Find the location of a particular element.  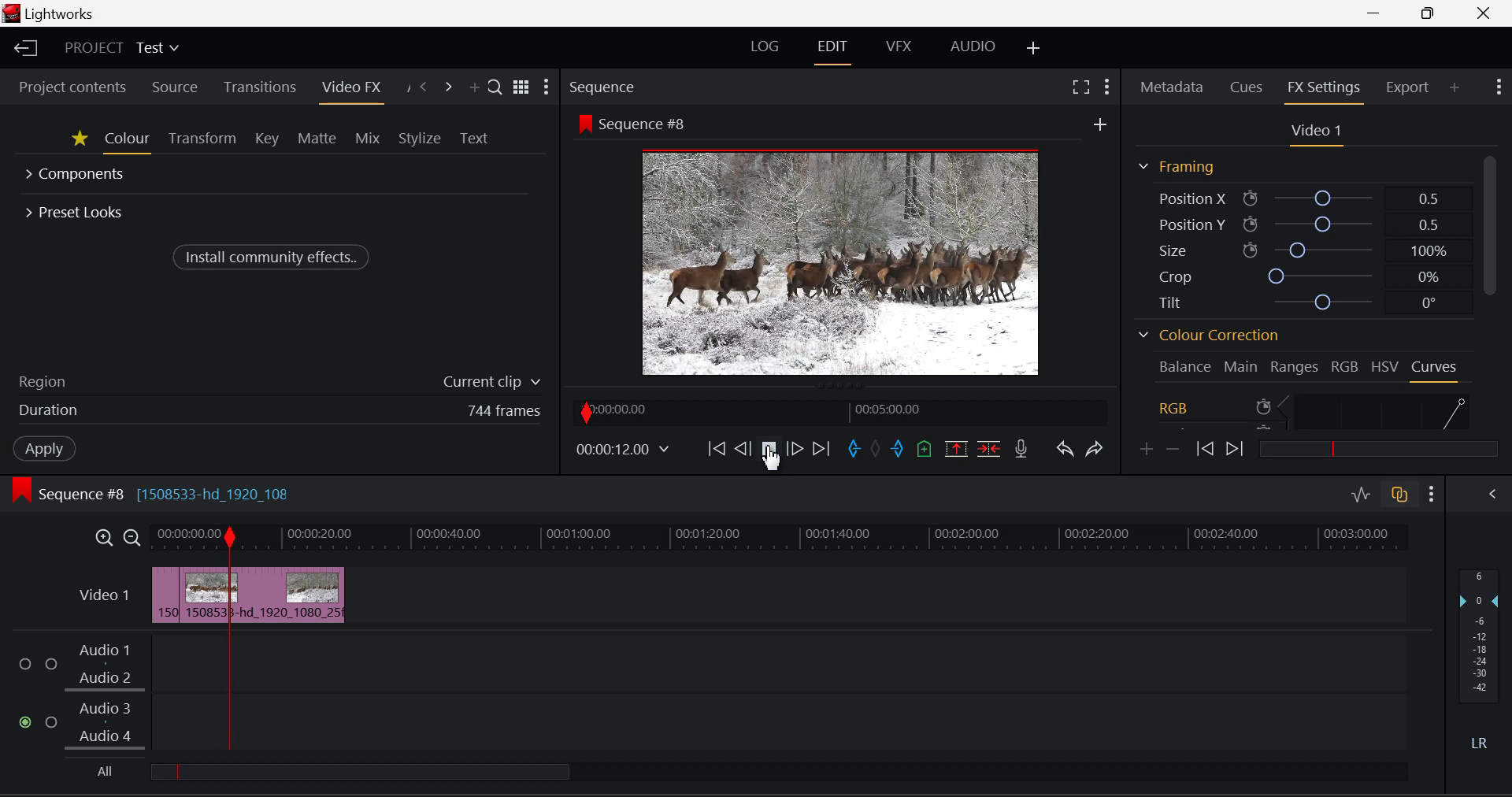

RGB Curve is located at coordinates (1314, 410).